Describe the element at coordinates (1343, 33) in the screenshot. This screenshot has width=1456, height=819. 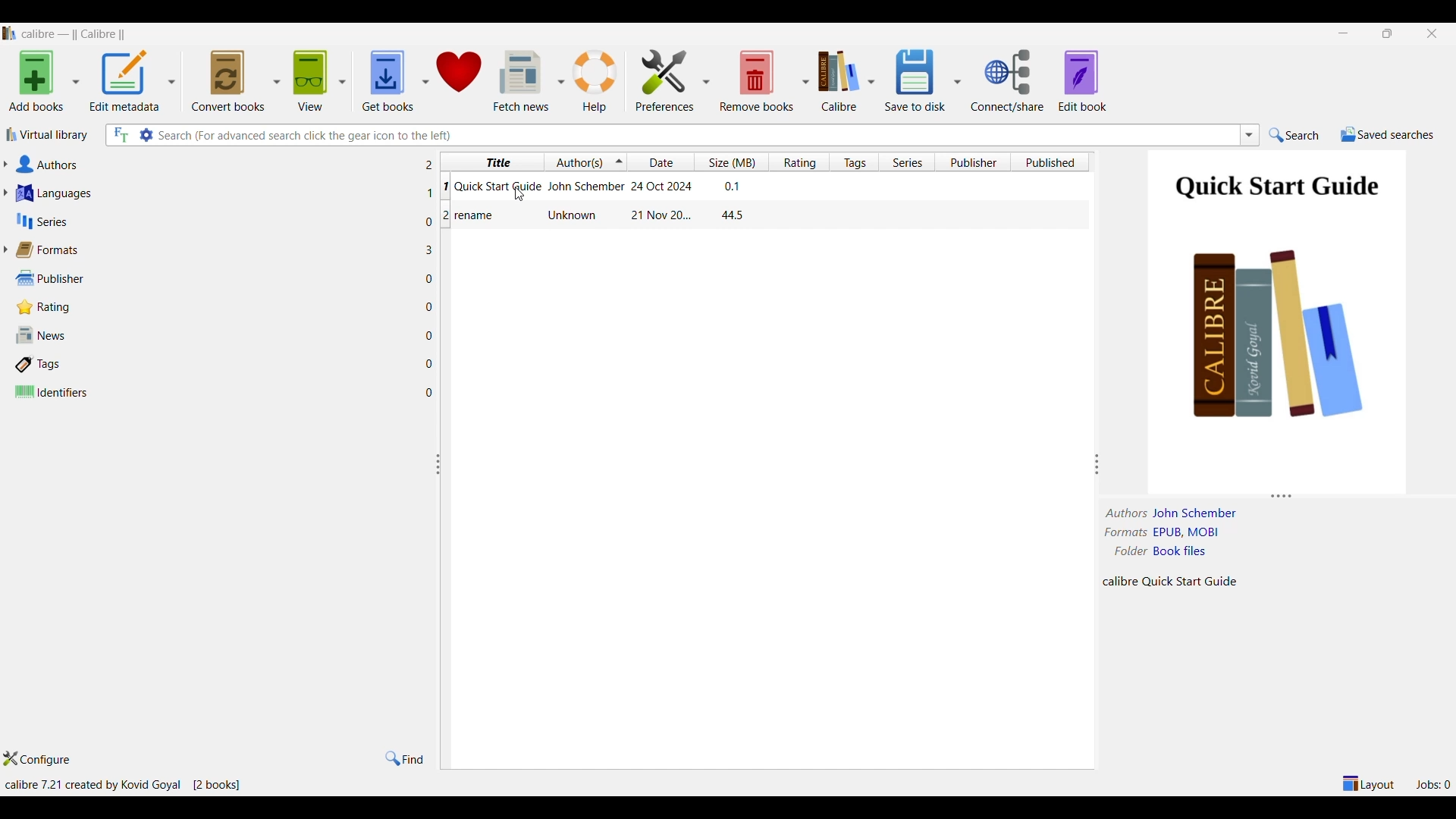
I see `Minimize` at that location.